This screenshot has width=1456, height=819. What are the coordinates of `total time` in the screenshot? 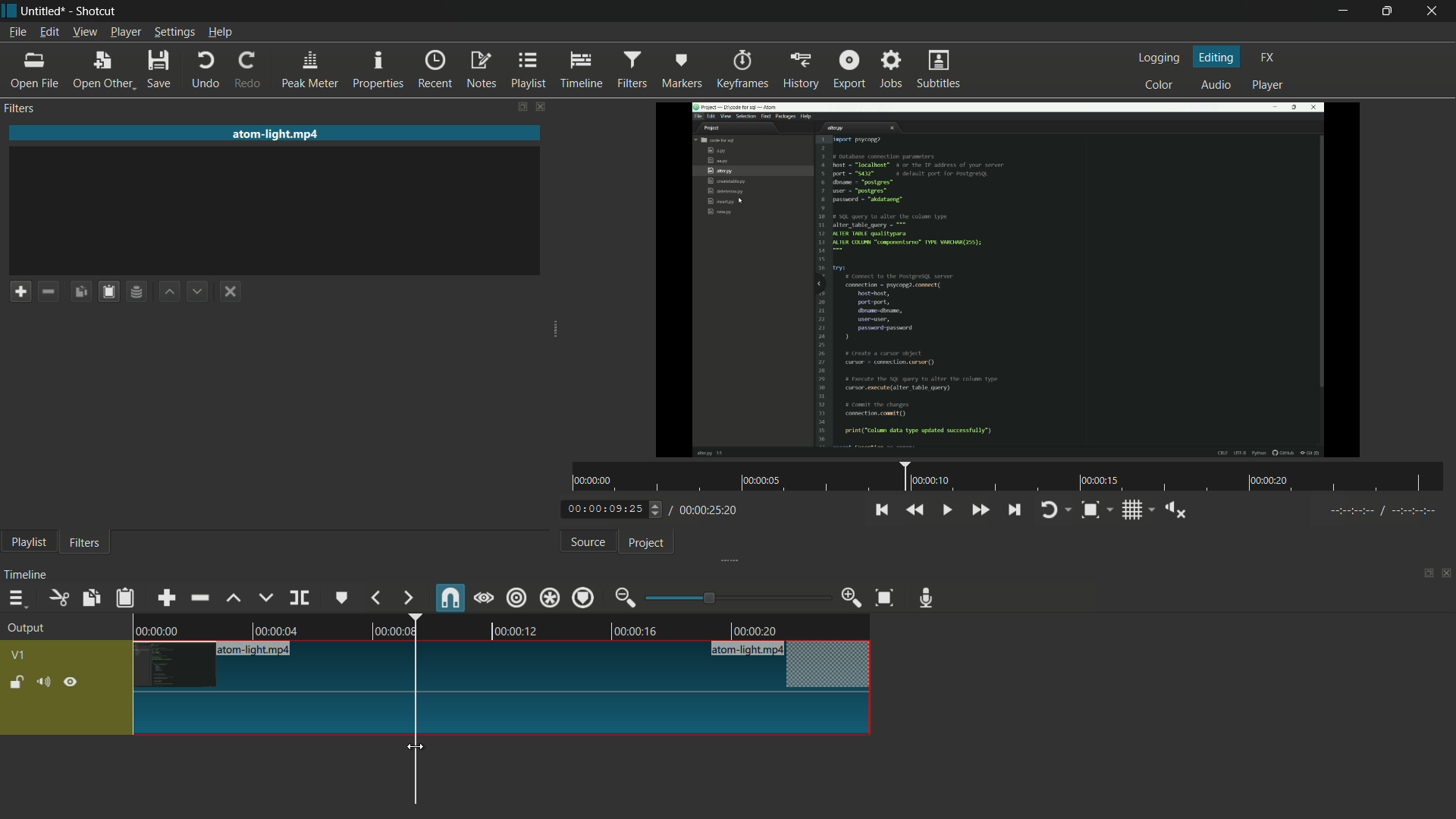 It's located at (707, 510).